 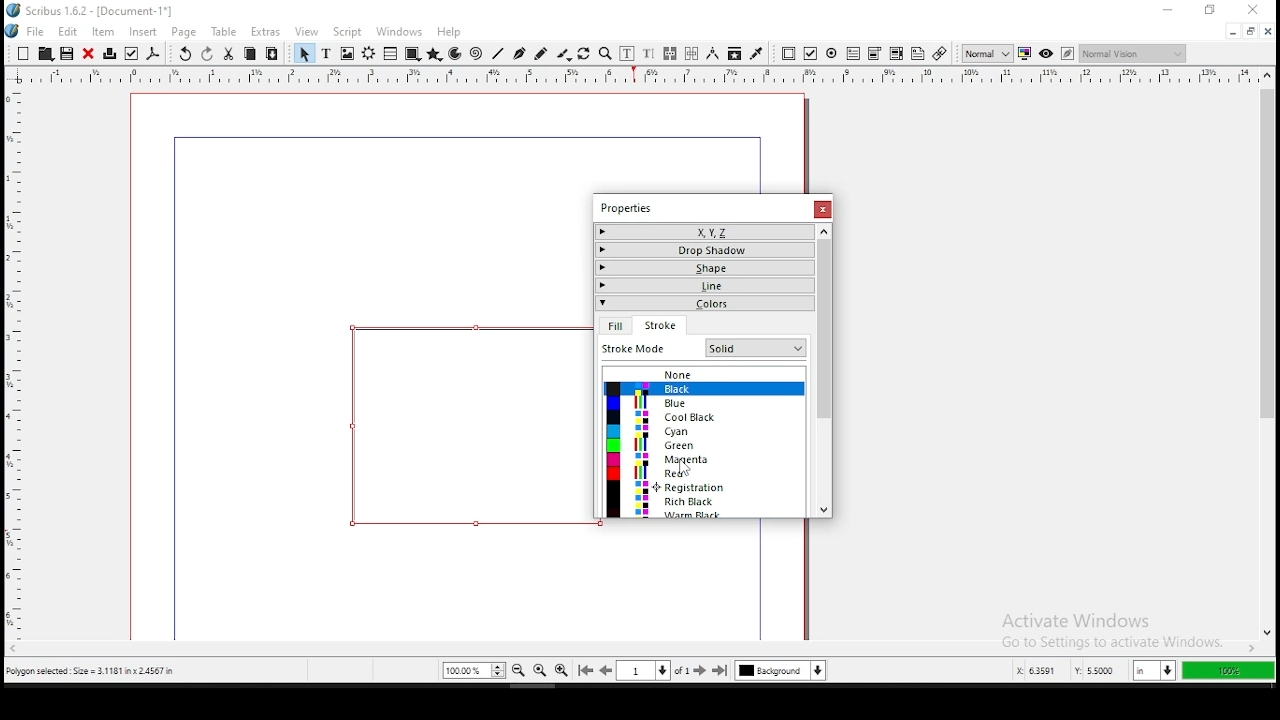 I want to click on registration, so click(x=704, y=487).